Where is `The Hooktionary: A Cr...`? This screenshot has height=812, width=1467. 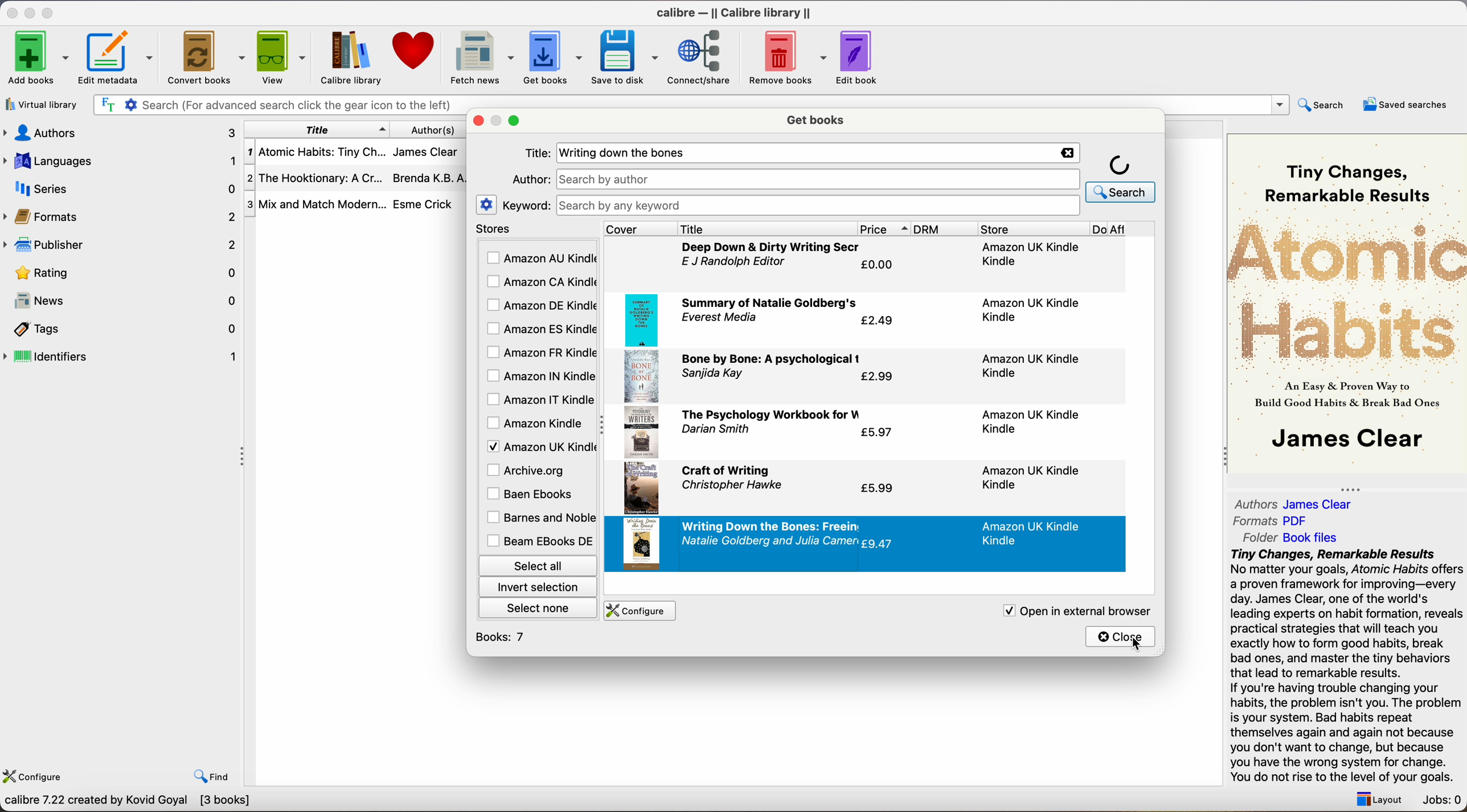
The Hooktionary: A Cr... is located at coordinates (315, 180).